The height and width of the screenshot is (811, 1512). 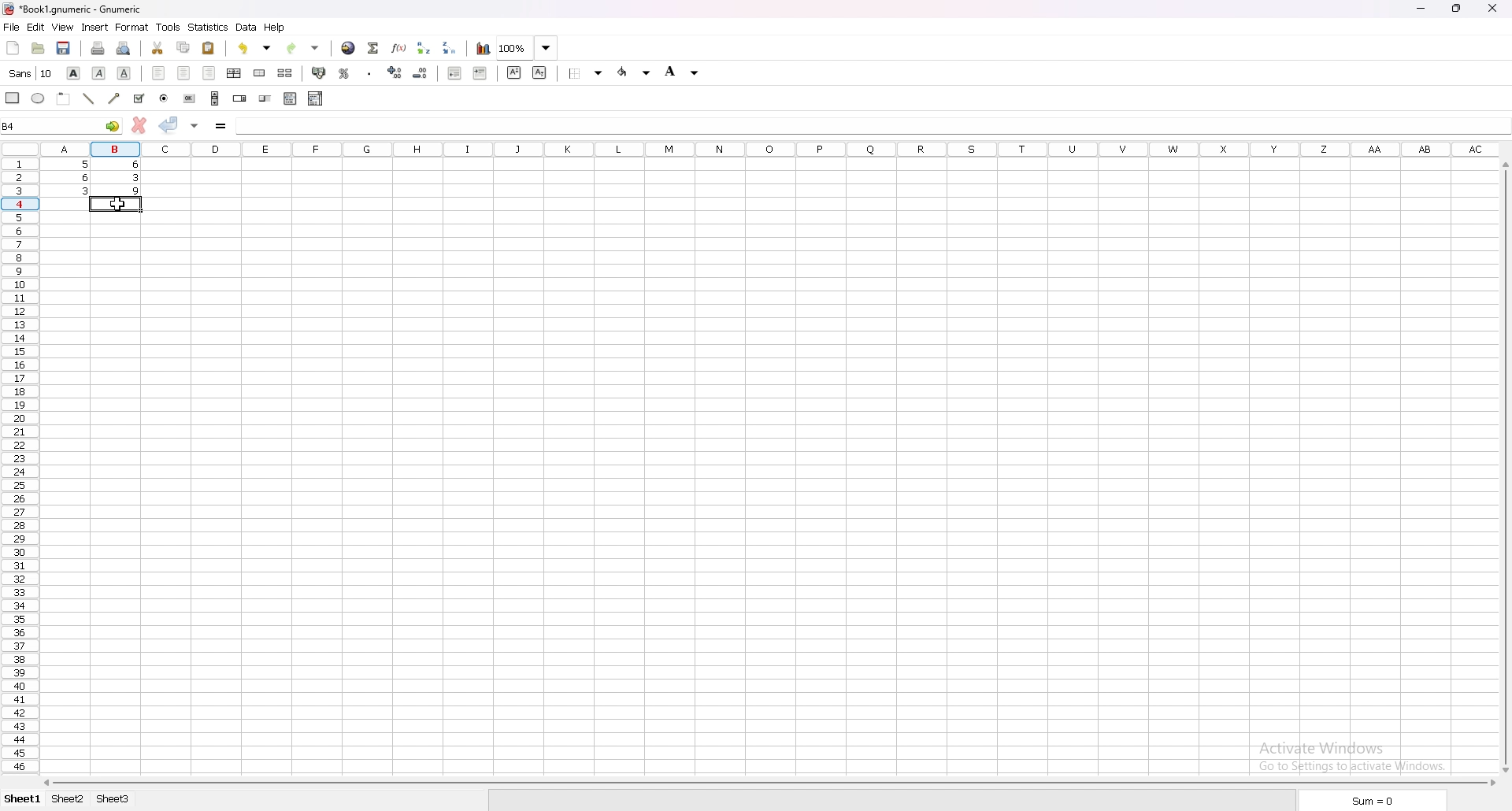 I want to click on sum, so click(x=1371, y=801).